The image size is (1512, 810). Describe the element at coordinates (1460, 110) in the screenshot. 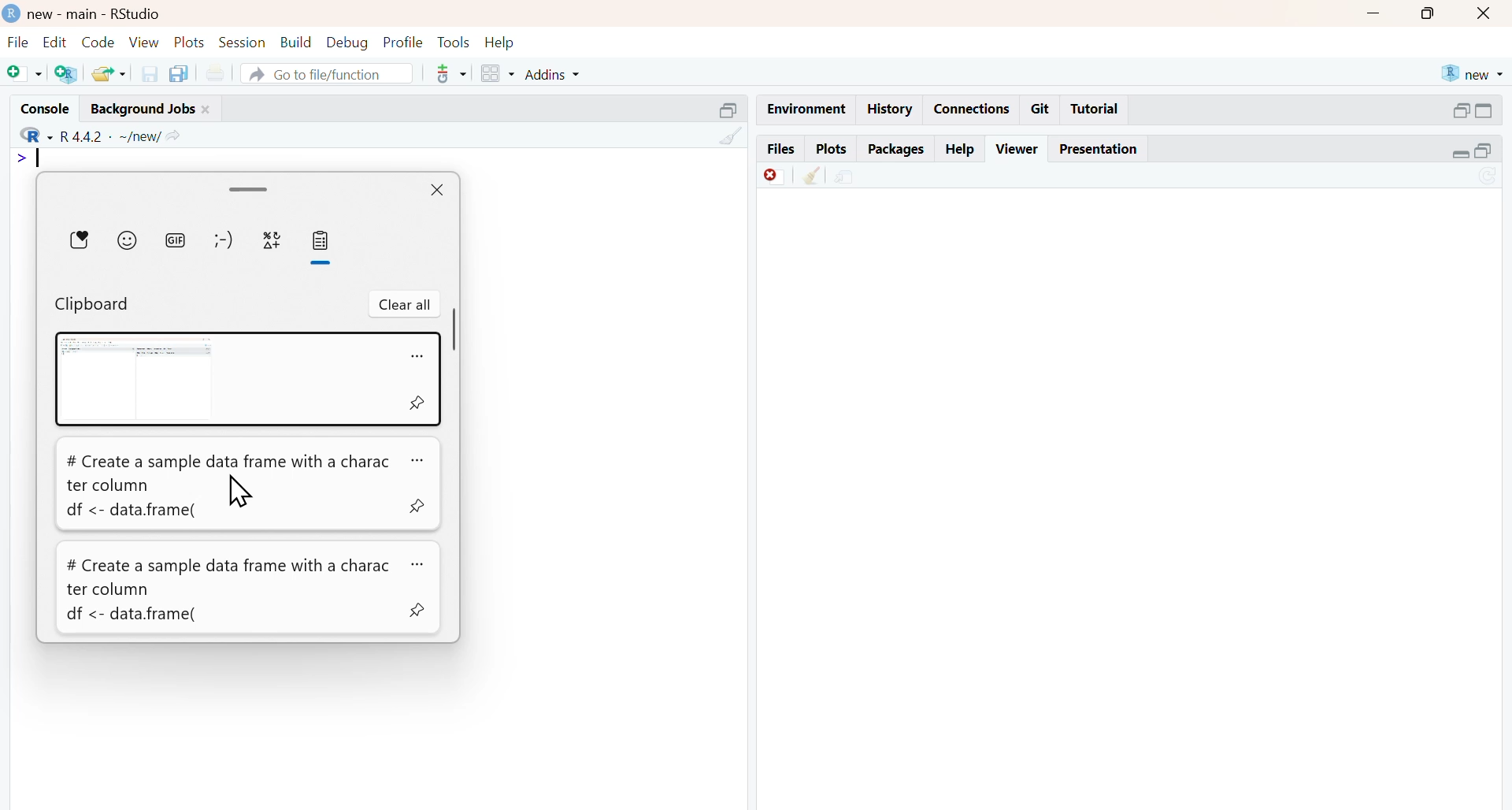

I see `open in separate window` at that location.